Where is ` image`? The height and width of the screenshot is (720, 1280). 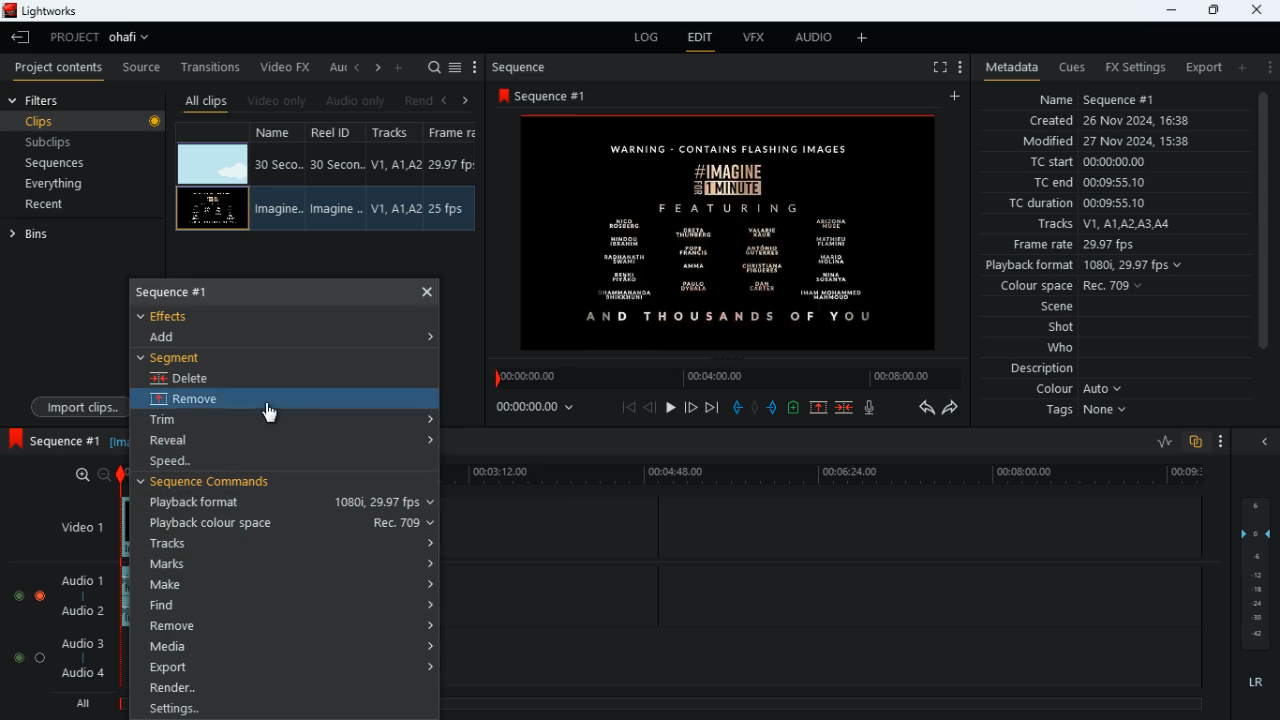
 image is located at coordinates (731, 231).